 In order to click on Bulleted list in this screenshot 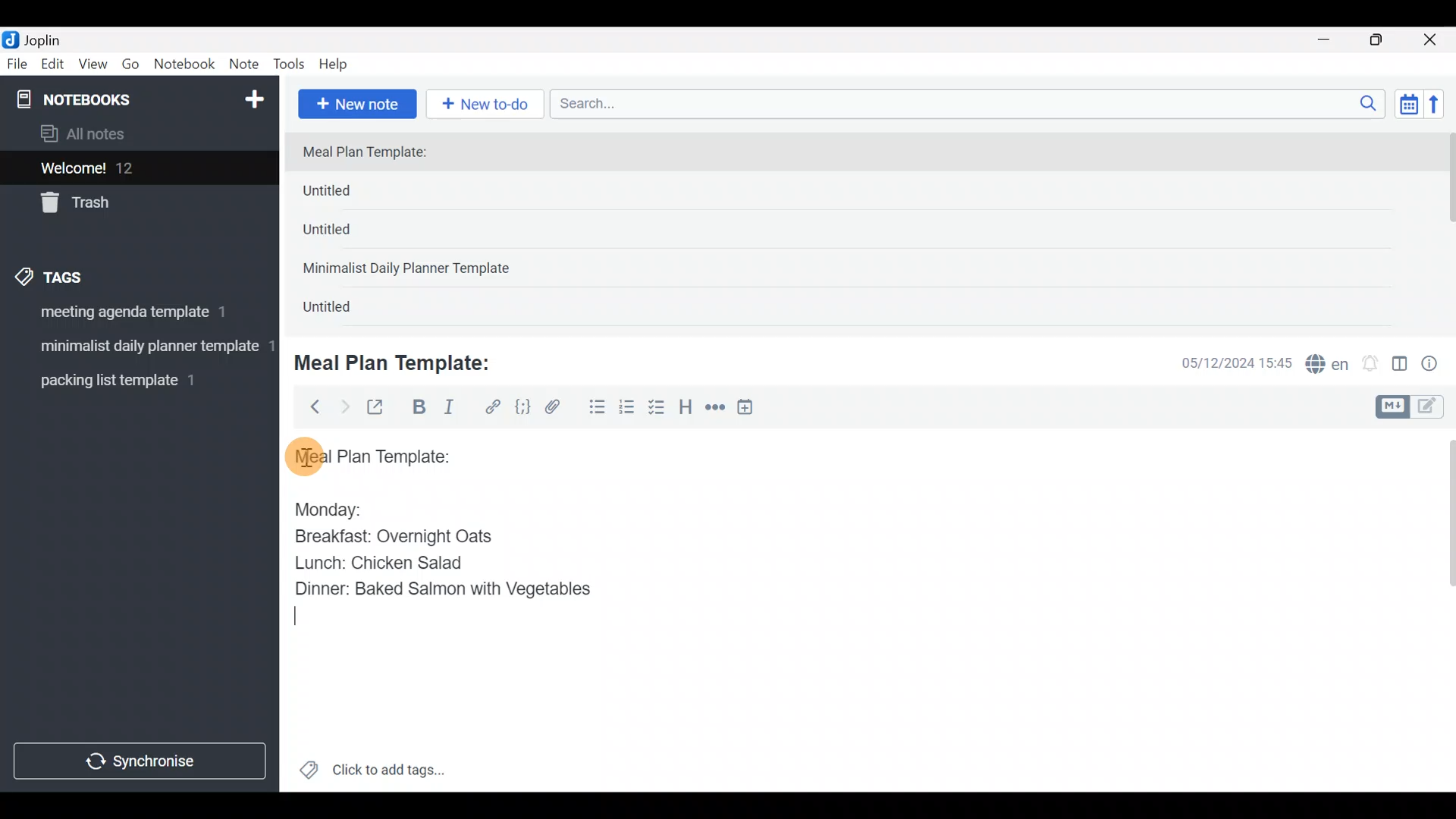, I will do `click(594, 408)`.